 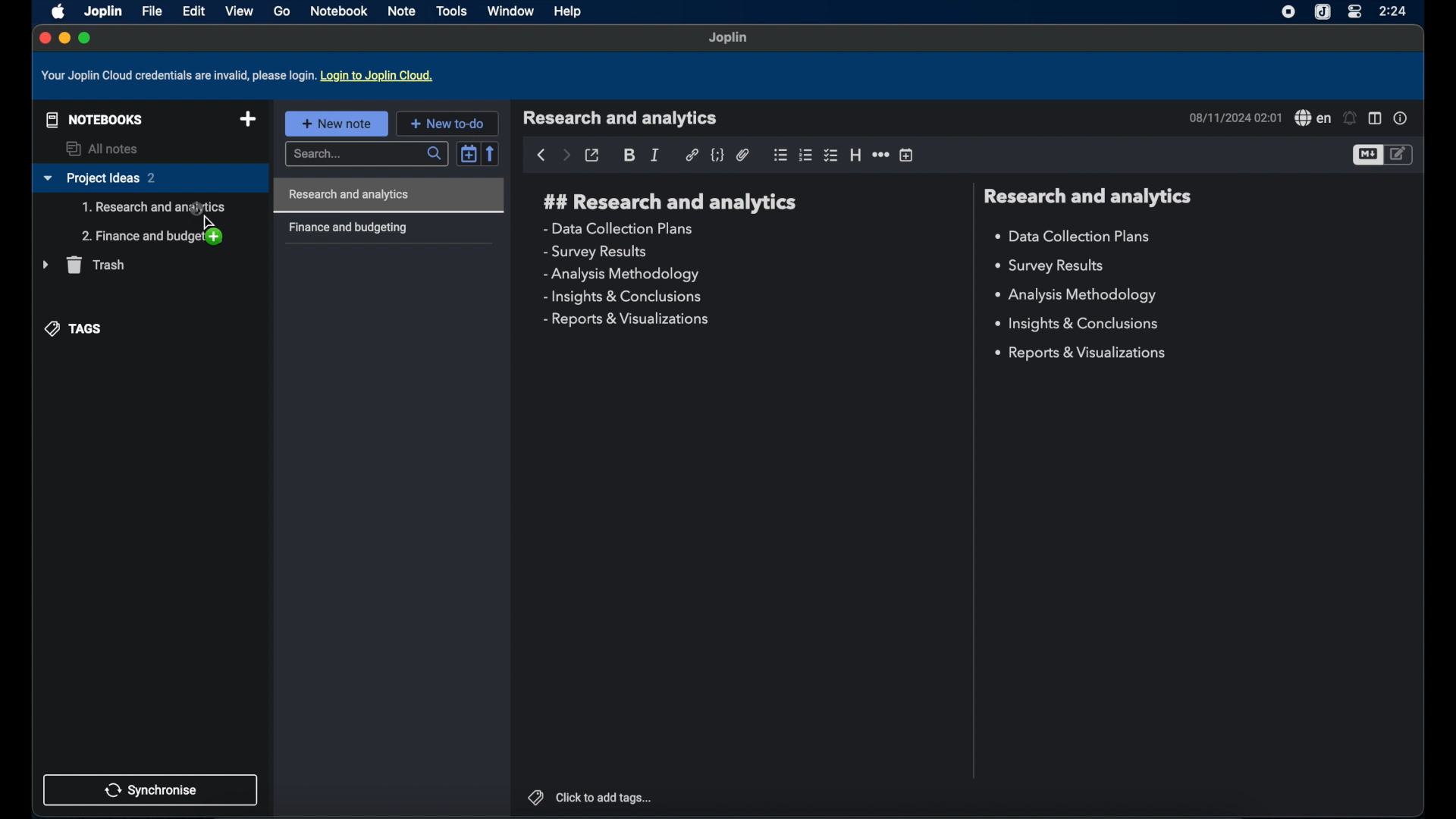 What do you see at coordinates (630, 155) in the screenshot?
I see `bold` at bounding box center [630, 155].